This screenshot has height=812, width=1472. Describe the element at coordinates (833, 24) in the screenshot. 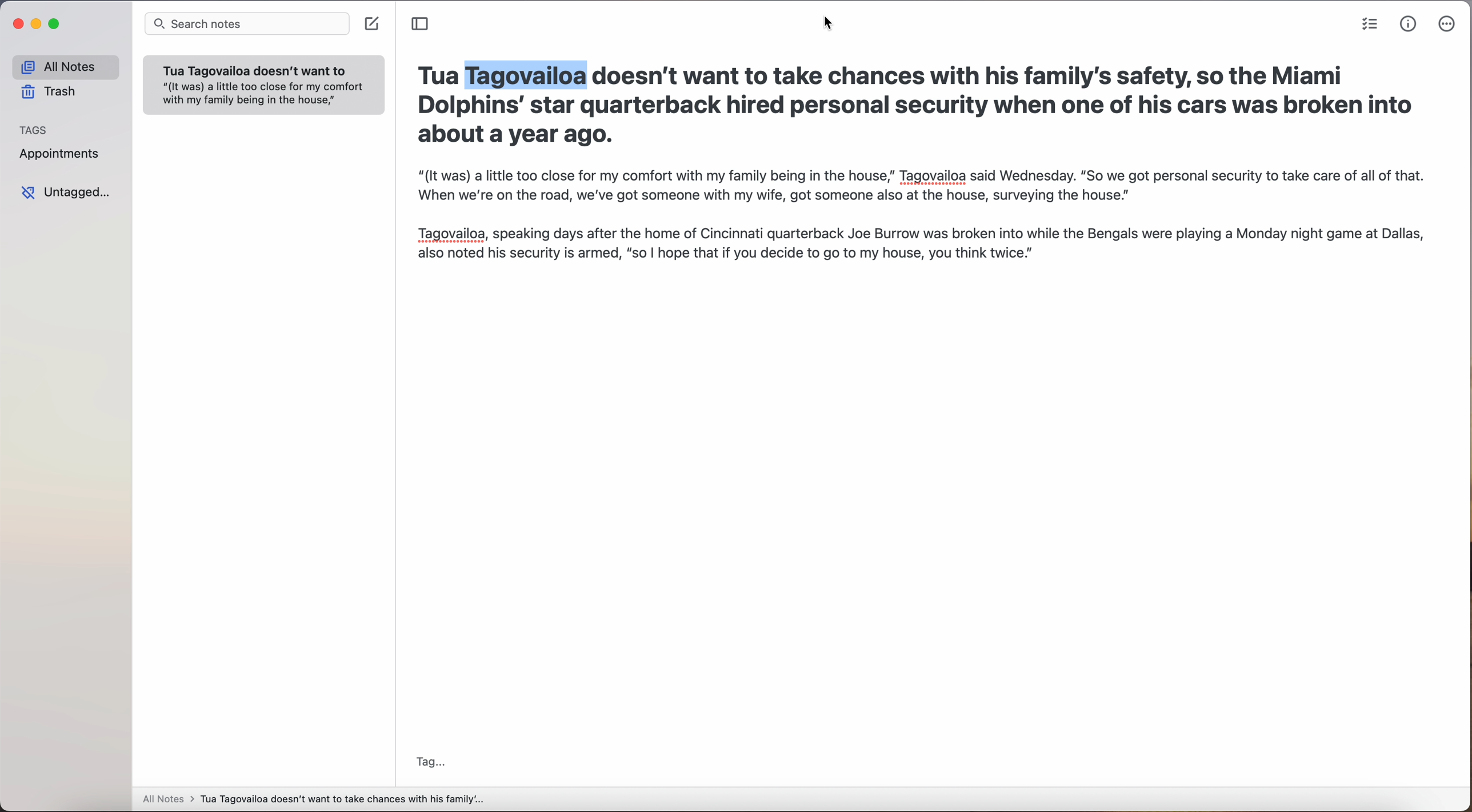

I see `cursor` at that location.